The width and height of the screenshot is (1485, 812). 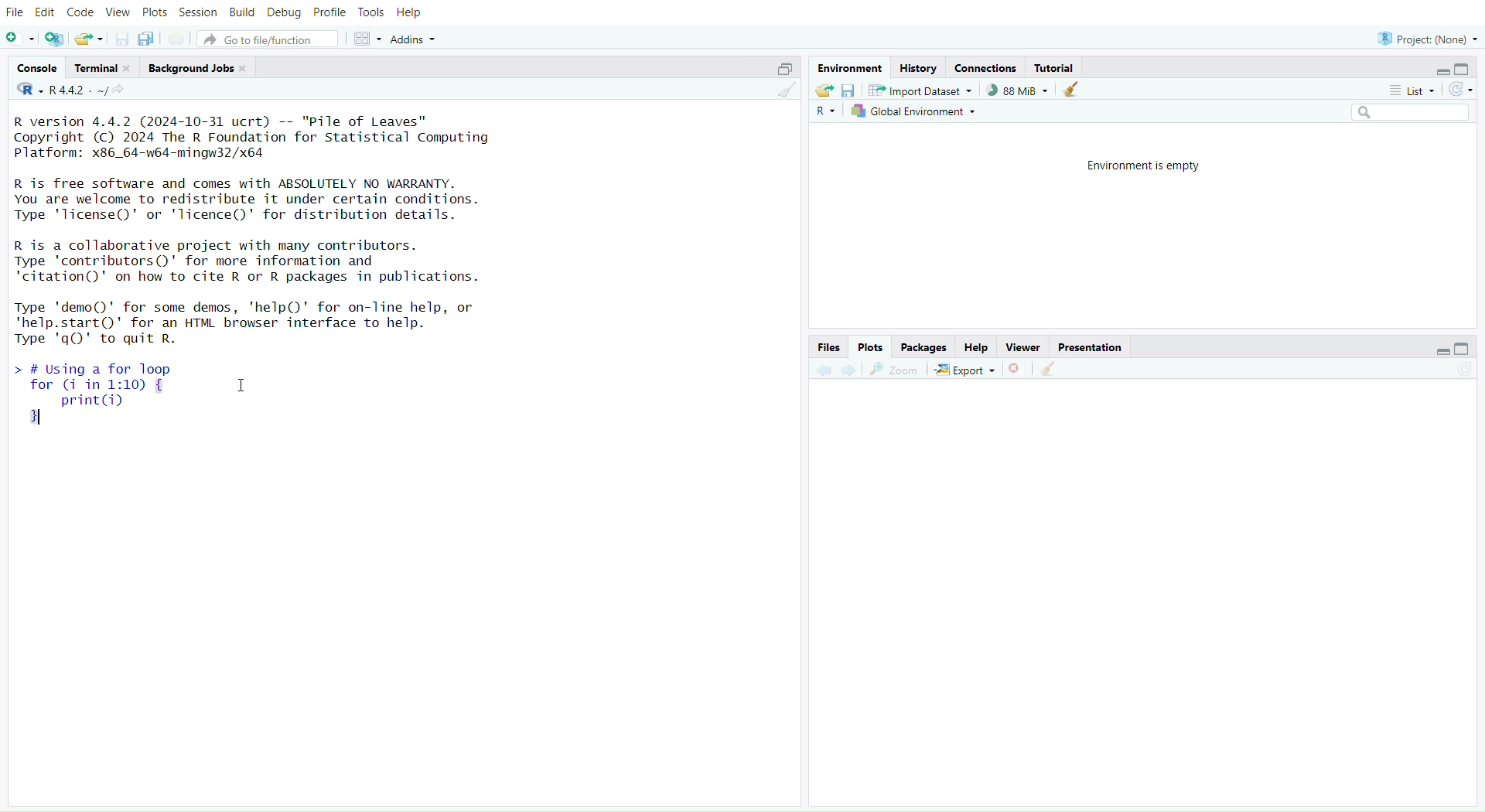 What do you see at coordinates (134, 402) in the screenshot?
I see `> # Using a for loop for (i in 1:10) { print(i)}` at bounding box center [134, 402].